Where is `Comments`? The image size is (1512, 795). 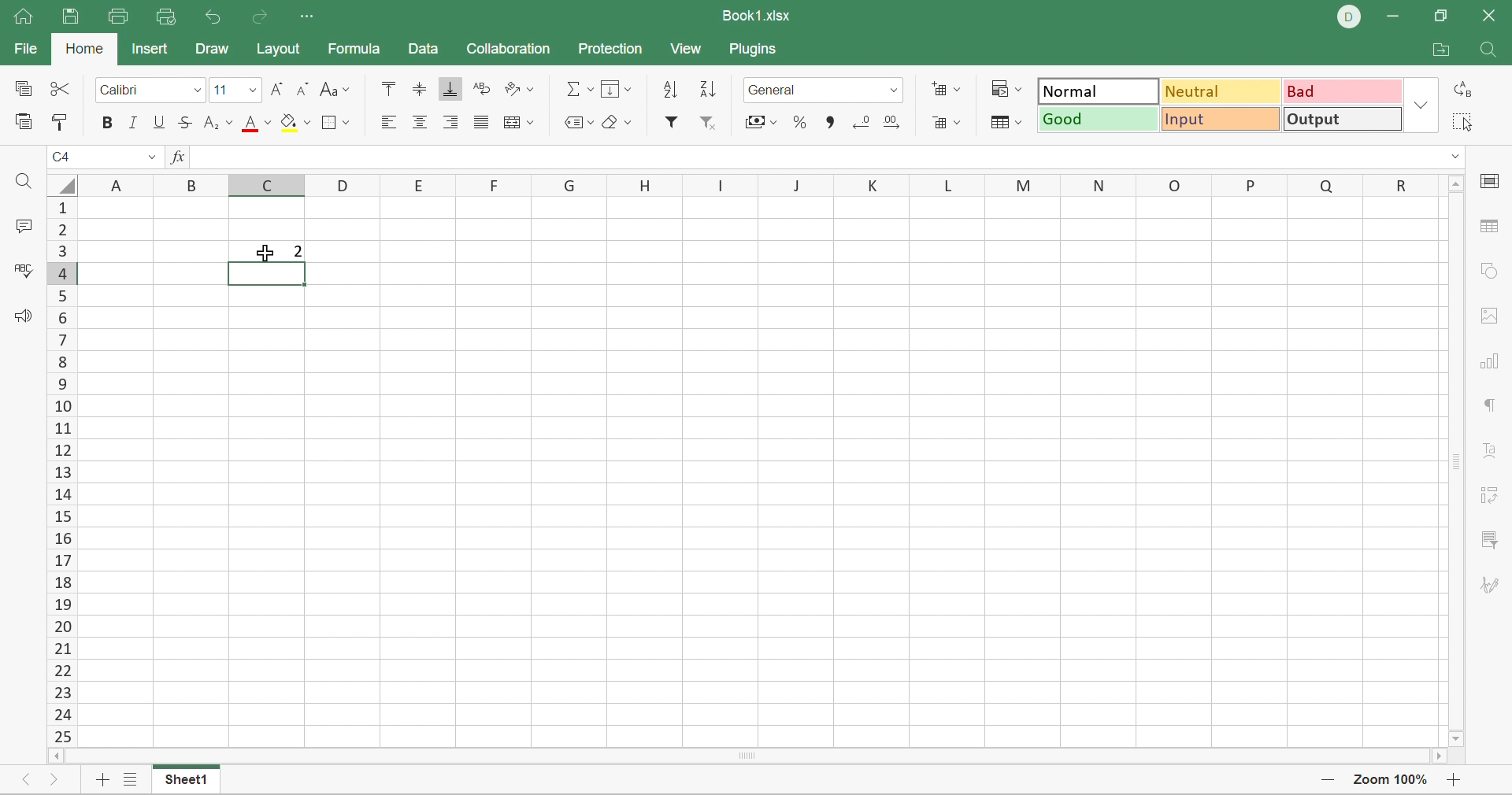
Comments is located at coordinates (21, 227).